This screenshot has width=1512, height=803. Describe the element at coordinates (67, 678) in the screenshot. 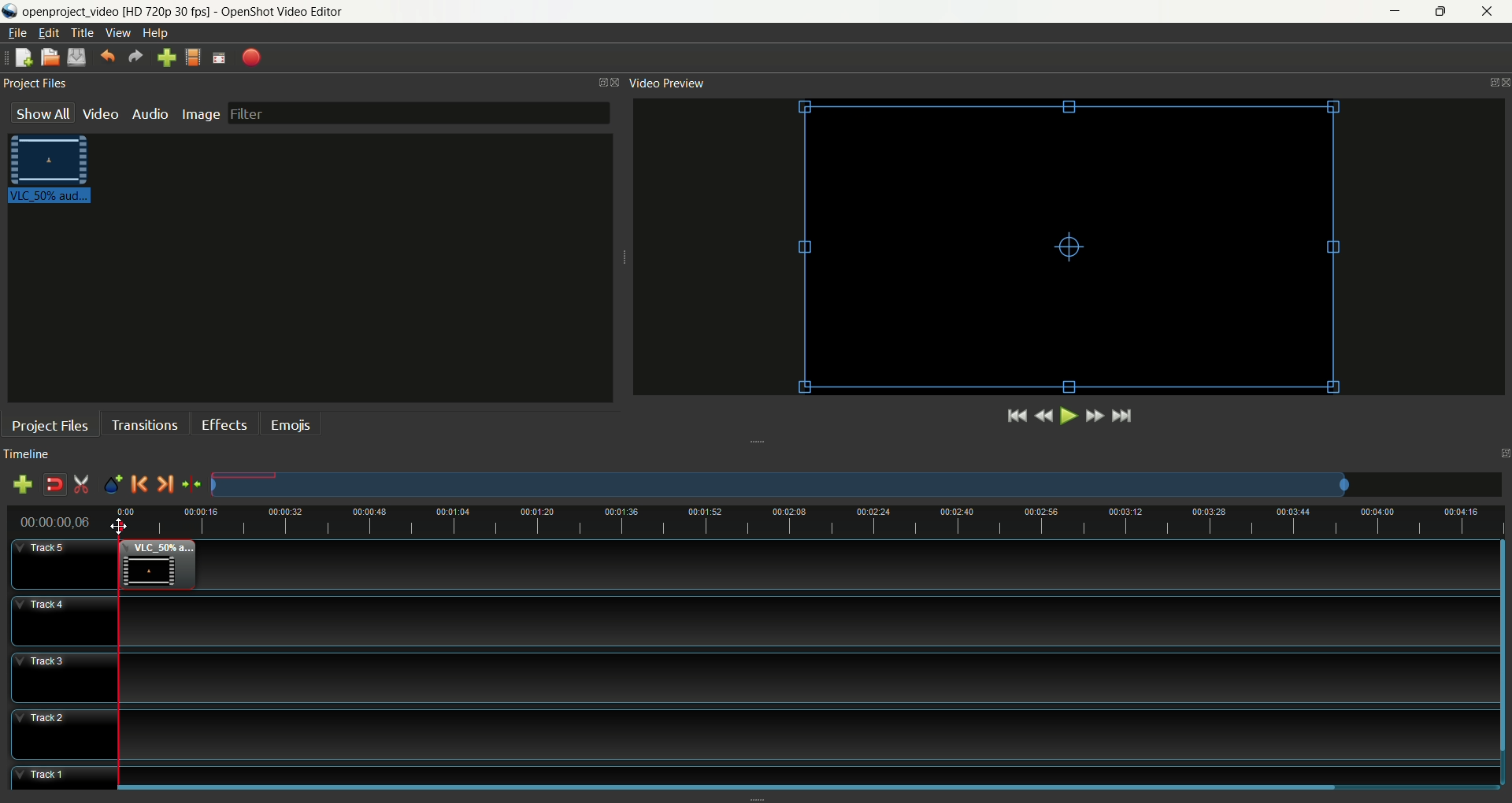

I see `track3` at that location.